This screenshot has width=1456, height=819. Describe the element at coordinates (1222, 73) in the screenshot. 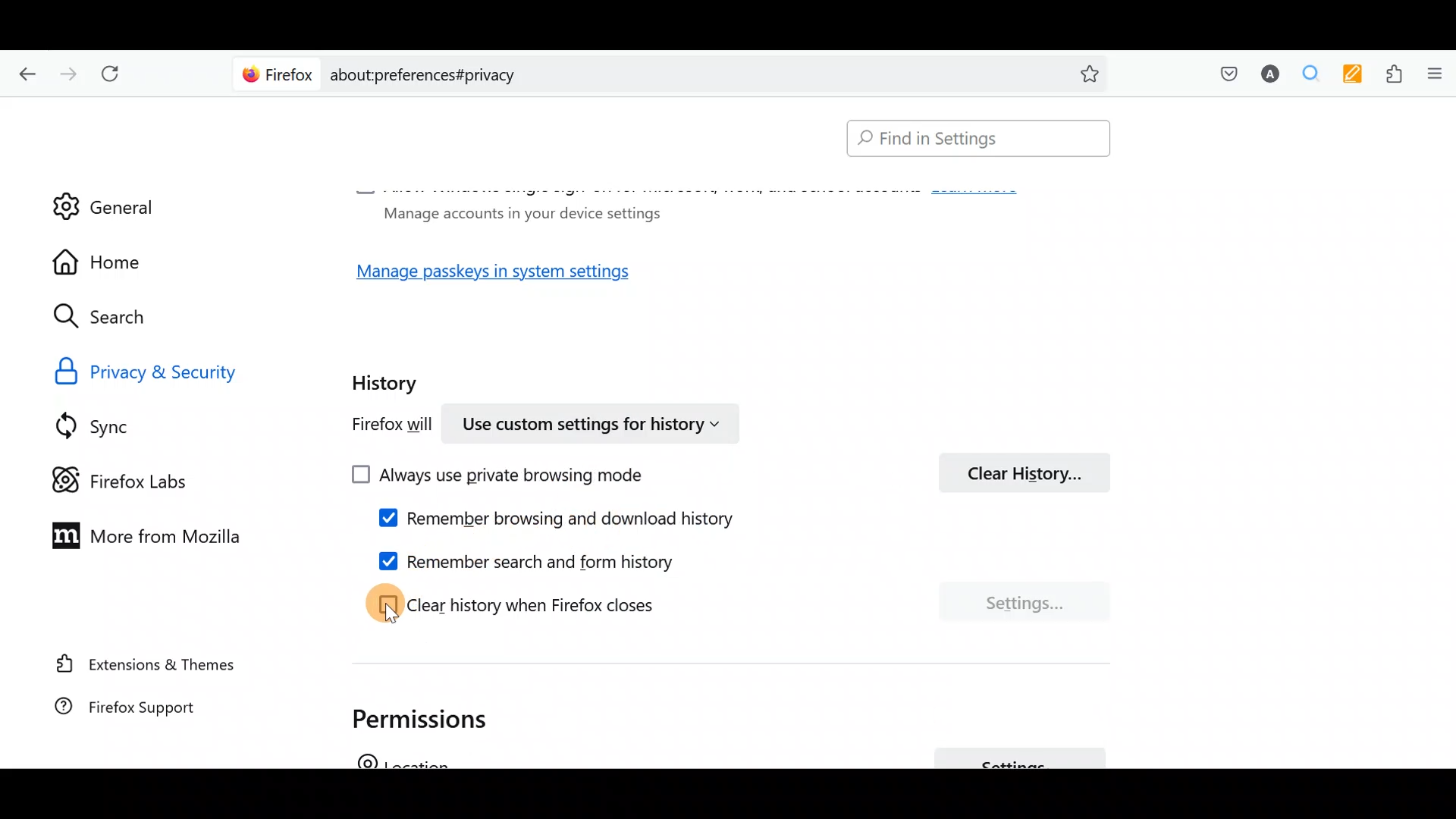

I see `Save to pocket` at that location.